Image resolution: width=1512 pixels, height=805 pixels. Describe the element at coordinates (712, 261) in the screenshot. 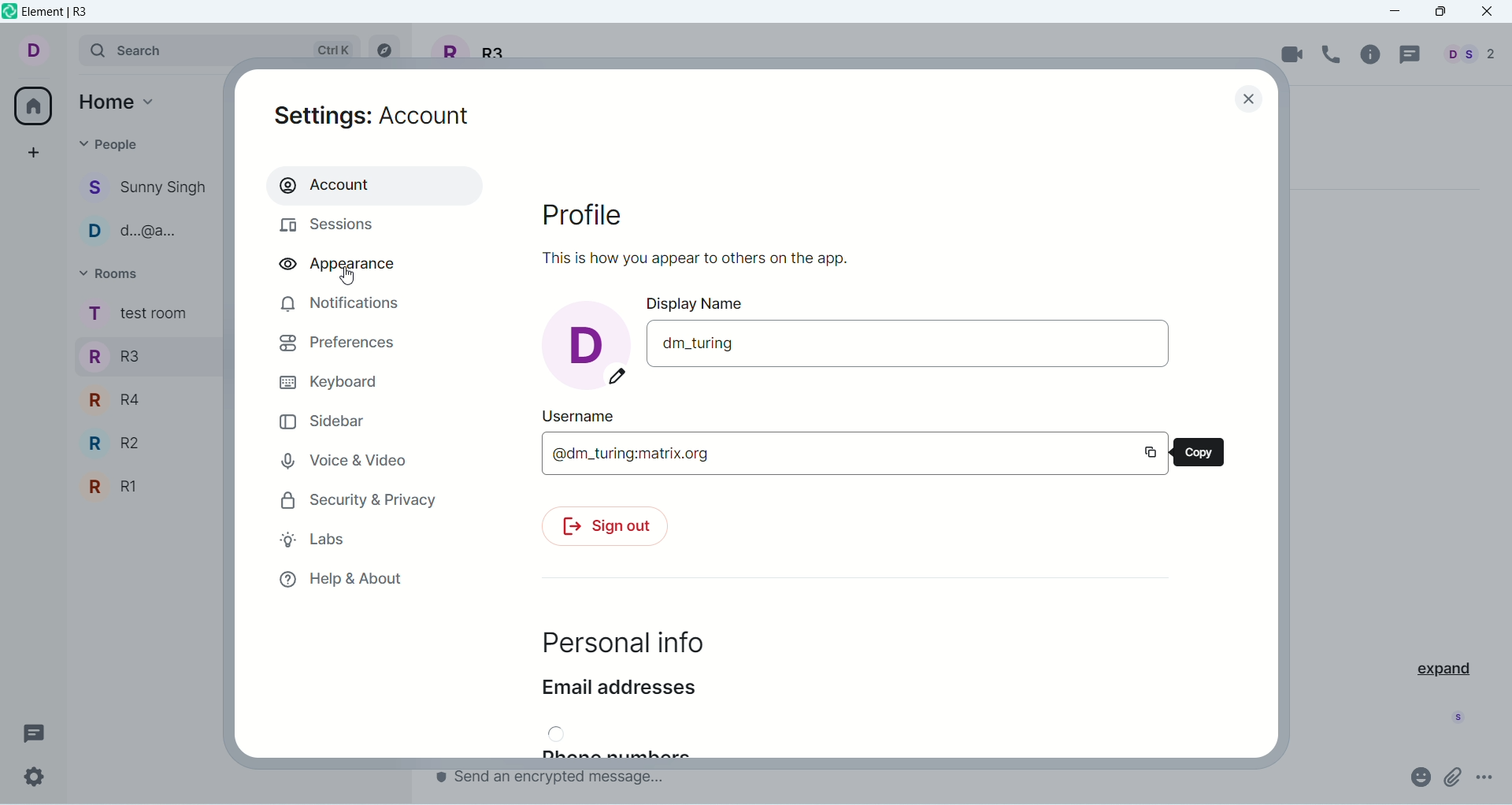

I see `text` at that location.